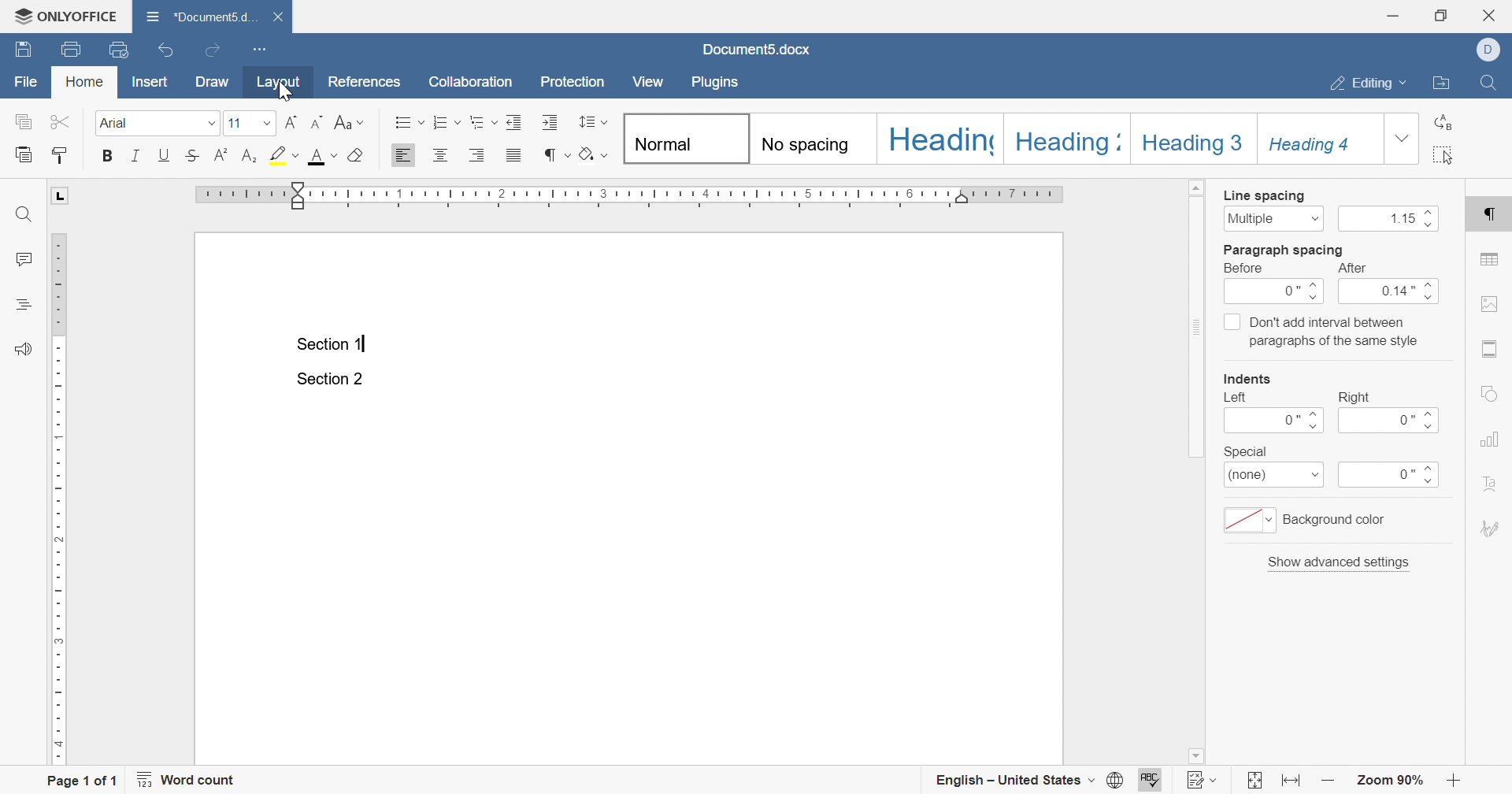 The width and height of the screenshot is (1512, 794). I want to click on Section 2, so click(329, 380).